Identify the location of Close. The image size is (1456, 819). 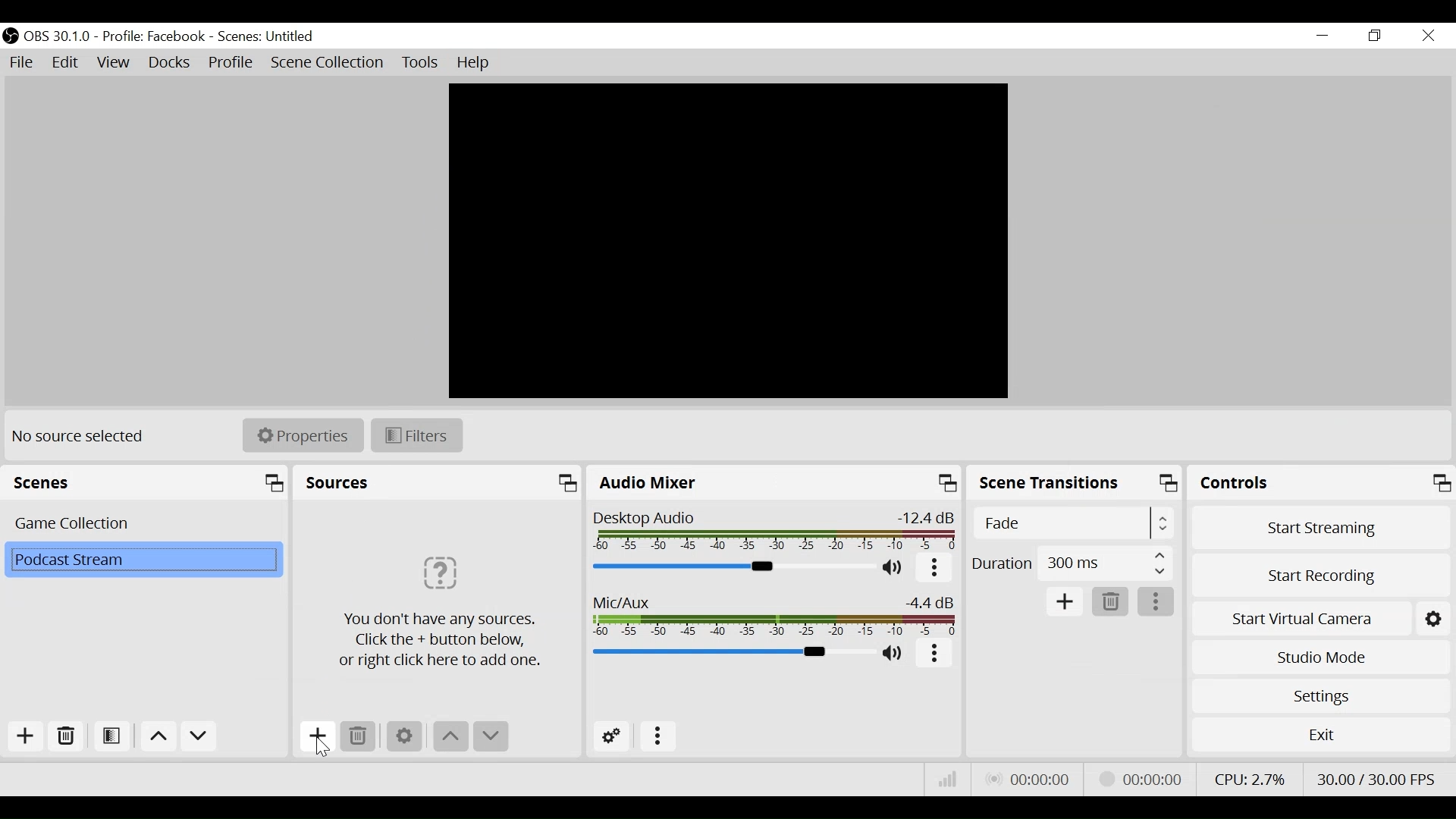
(1427, 36).